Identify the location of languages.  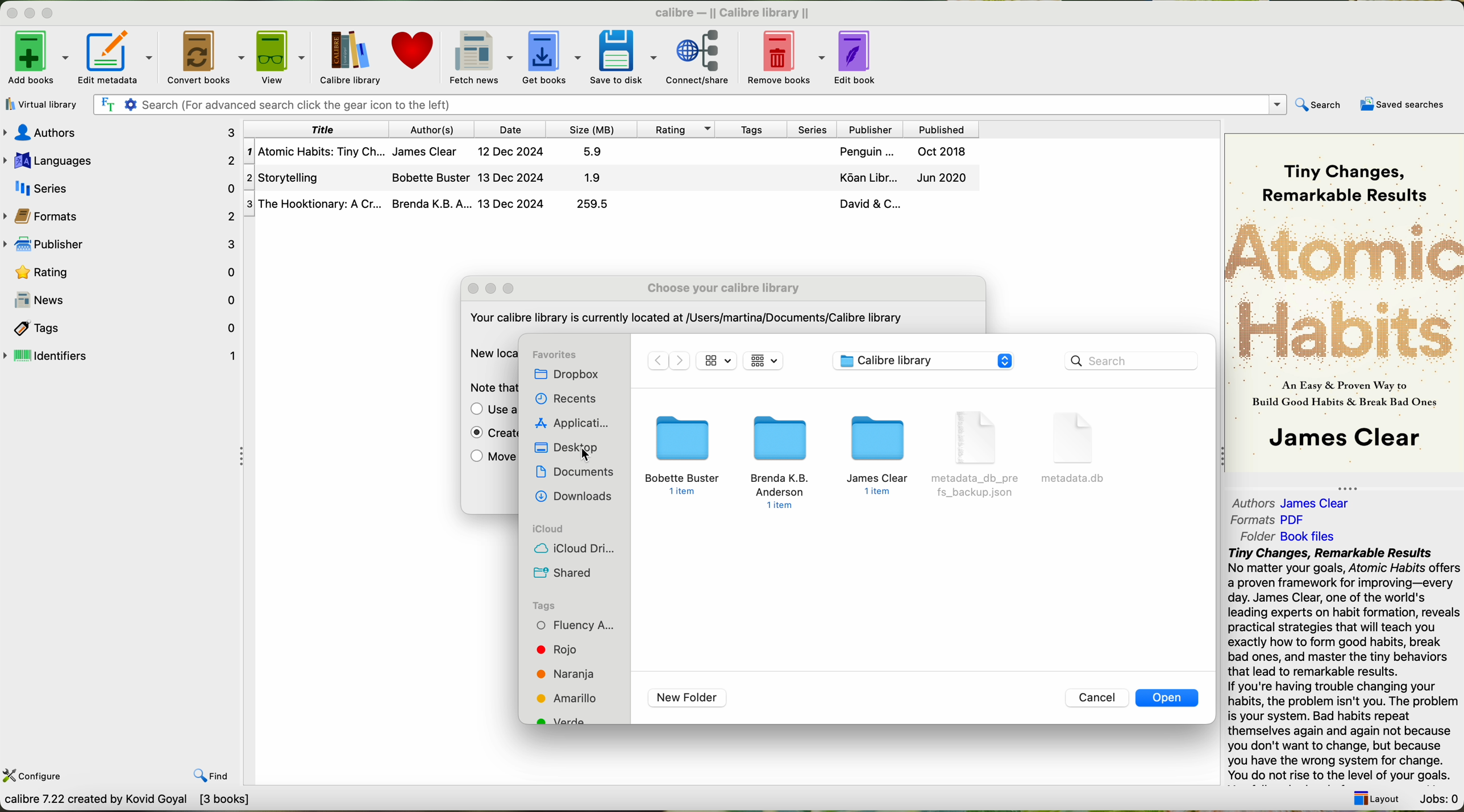
(120, 159).